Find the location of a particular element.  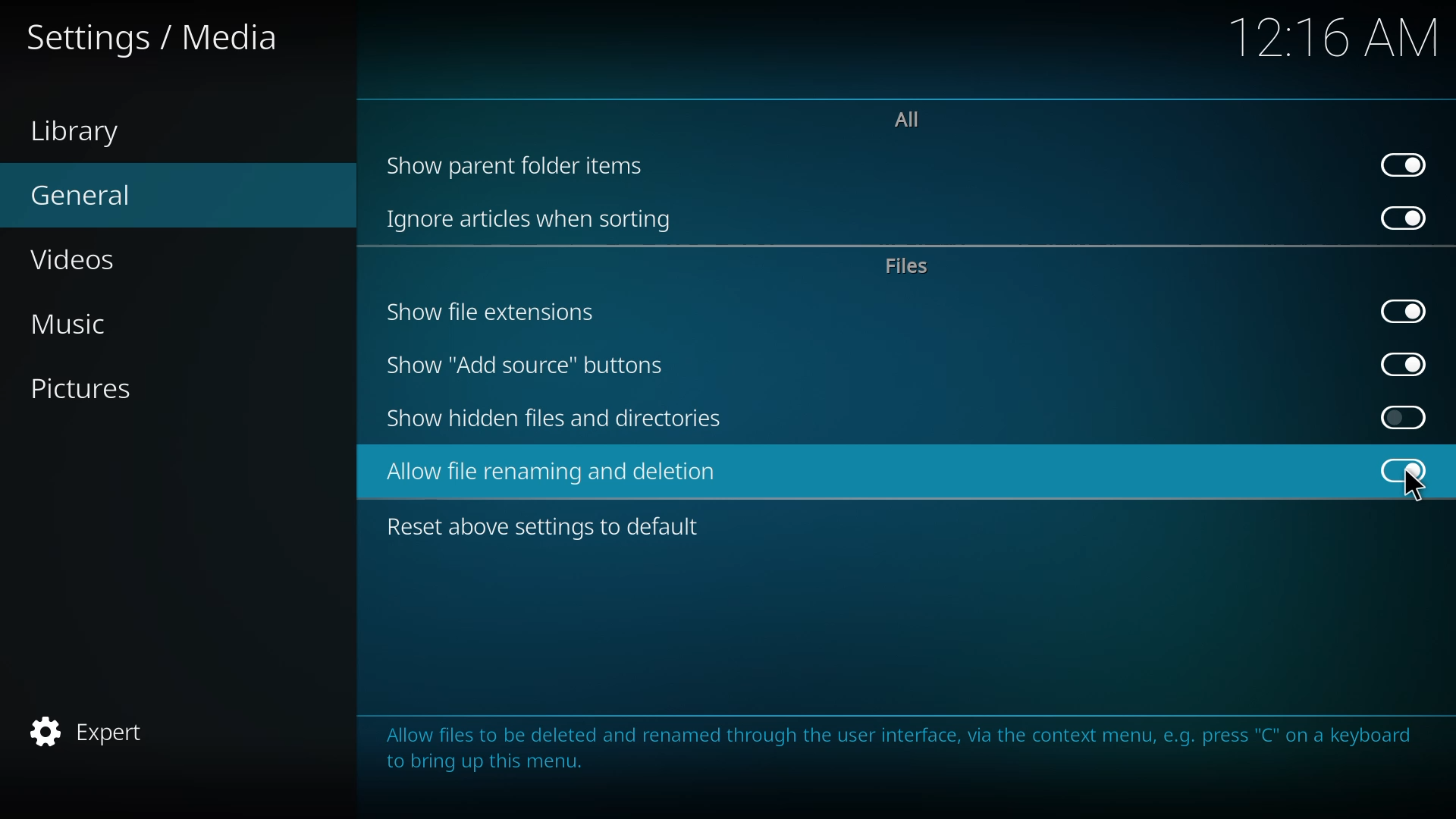

pictures is located at coordinates (92, 388).